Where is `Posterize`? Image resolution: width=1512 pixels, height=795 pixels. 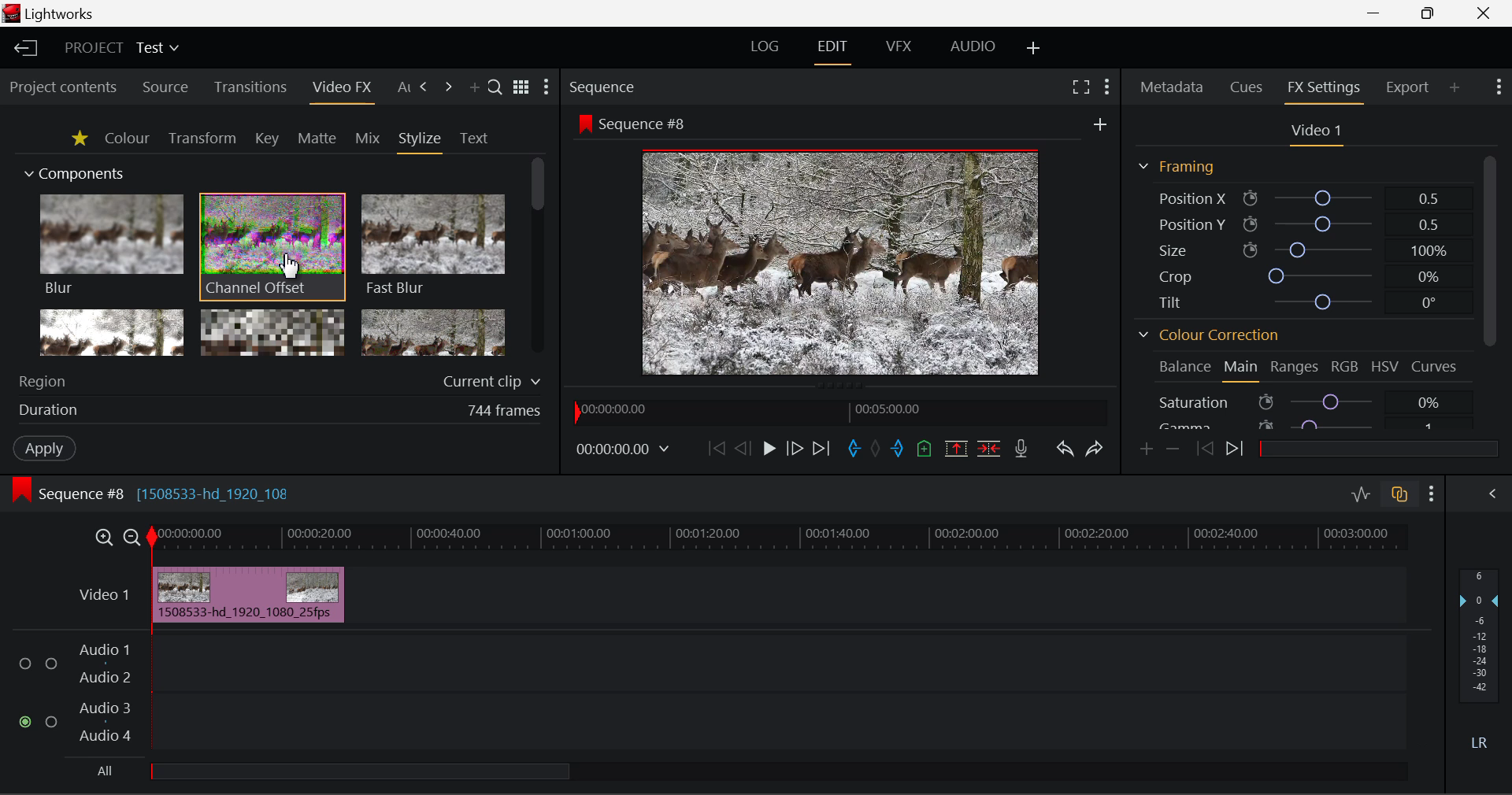
Posterize is located at coordinates (433, 331).